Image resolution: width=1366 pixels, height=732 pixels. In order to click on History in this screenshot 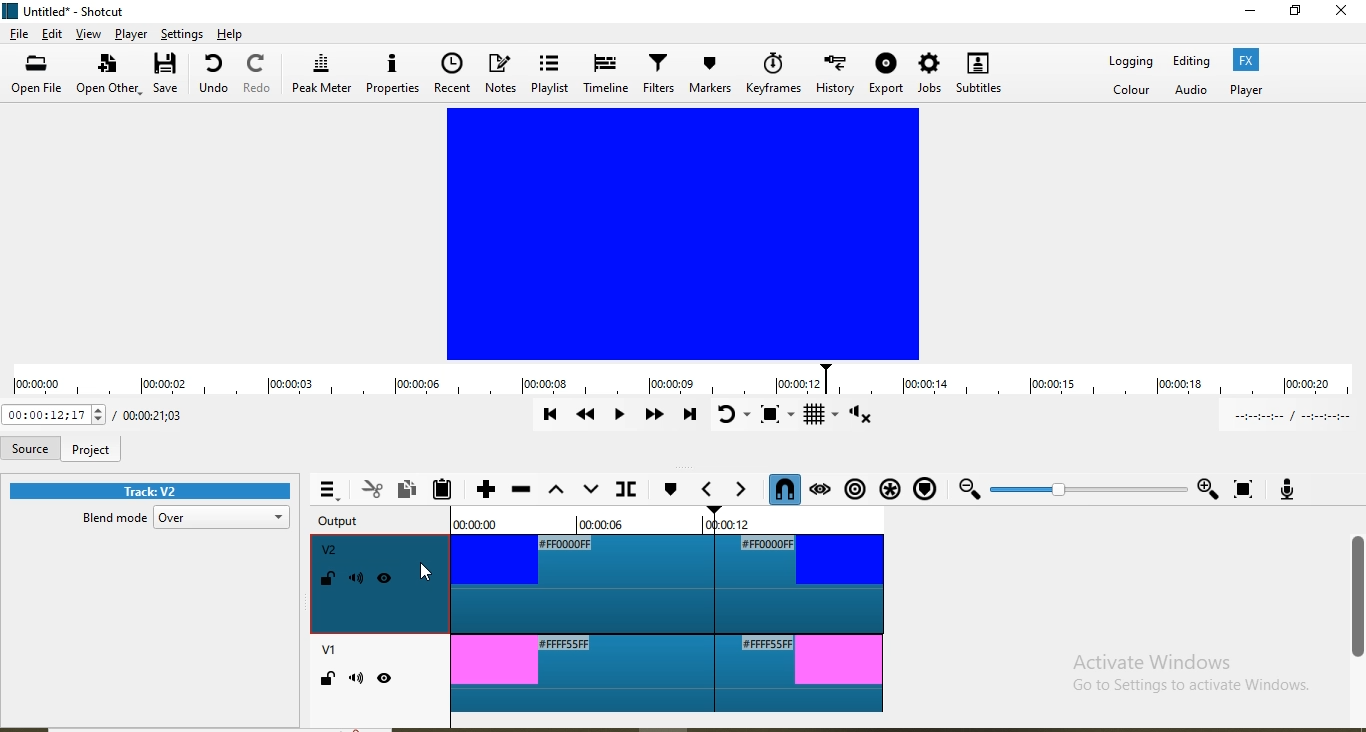, I will do `click(833, 77)`.